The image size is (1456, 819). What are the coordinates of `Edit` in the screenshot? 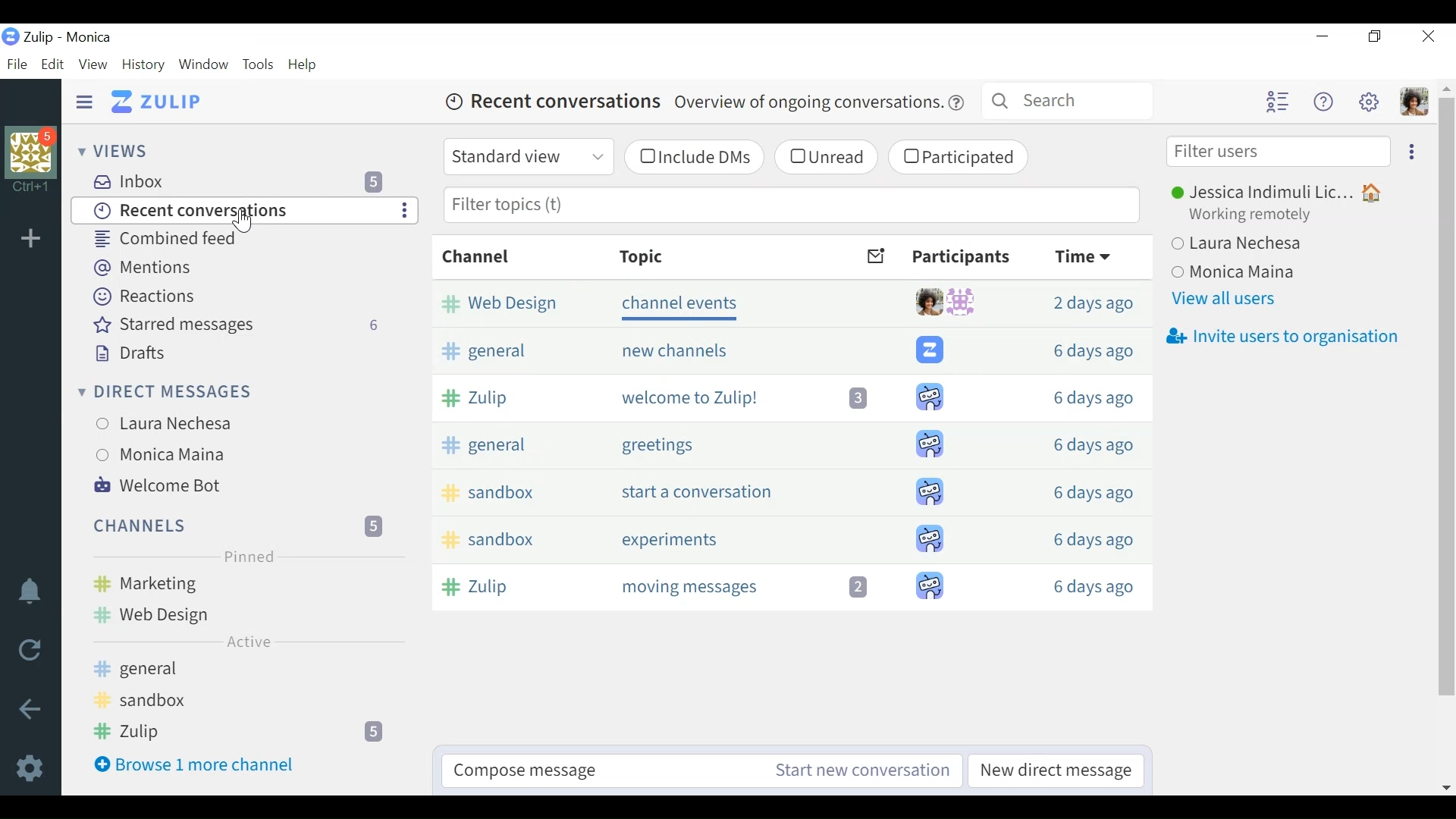 It's located at (54, 64).